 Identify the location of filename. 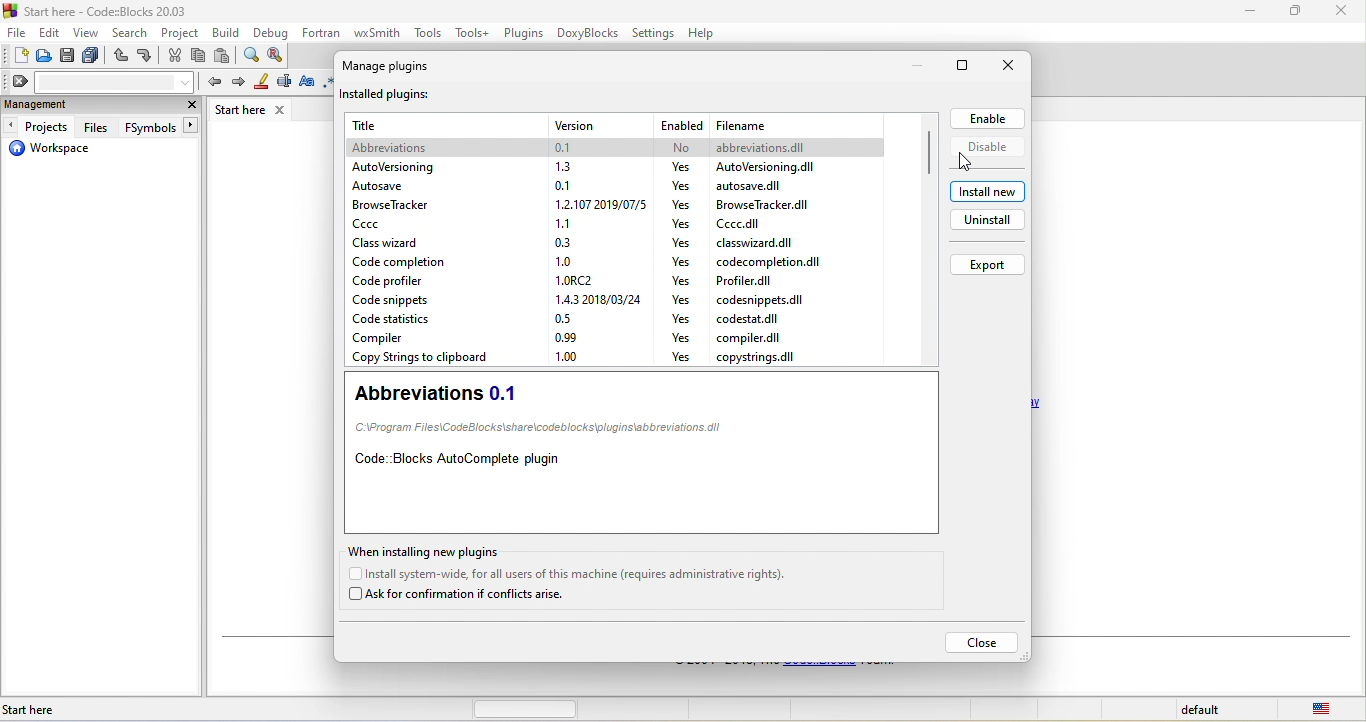
(771, 123).